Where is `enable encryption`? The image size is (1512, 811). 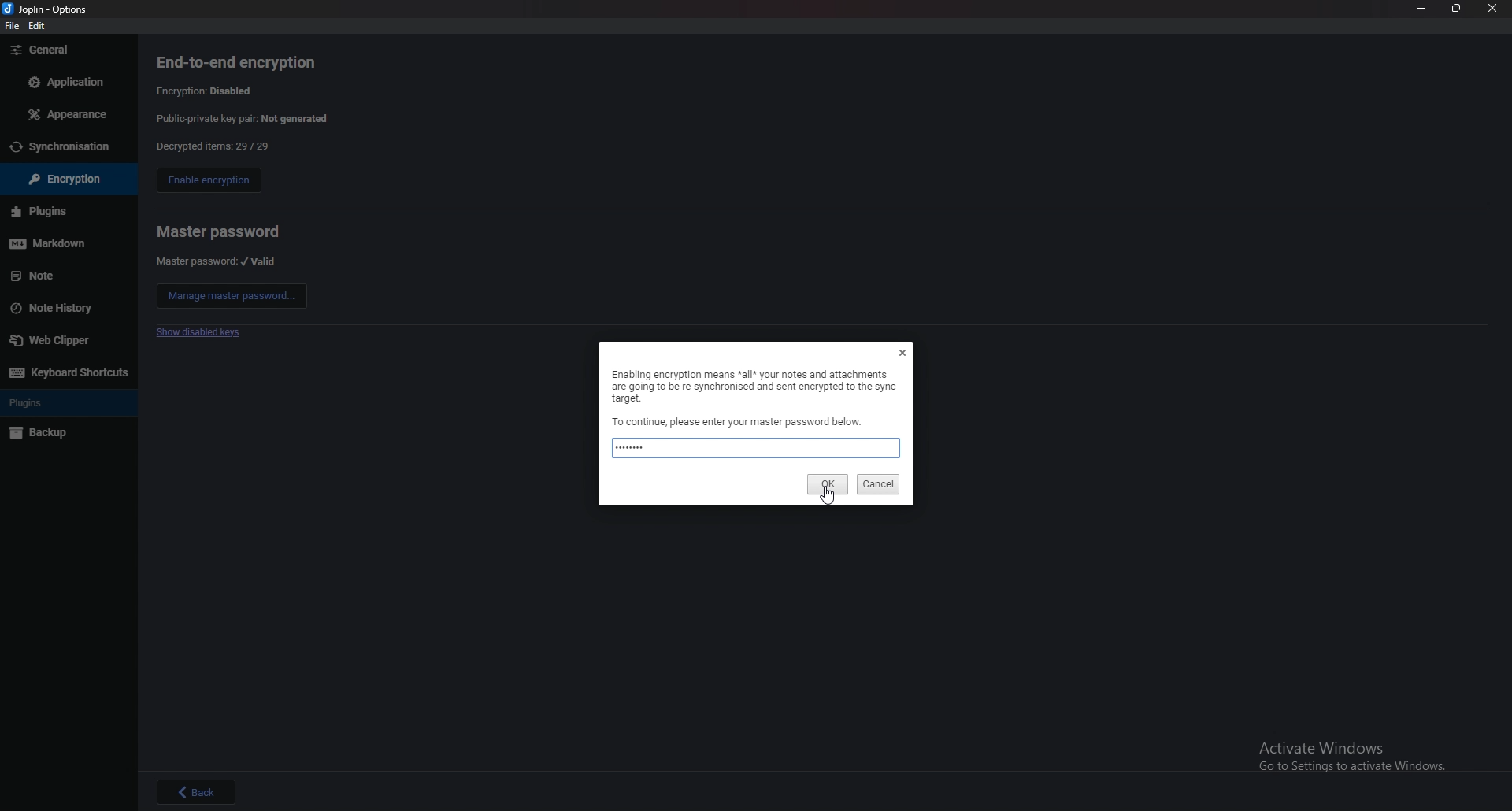 enable encryption is located at coordinates (205, 180).